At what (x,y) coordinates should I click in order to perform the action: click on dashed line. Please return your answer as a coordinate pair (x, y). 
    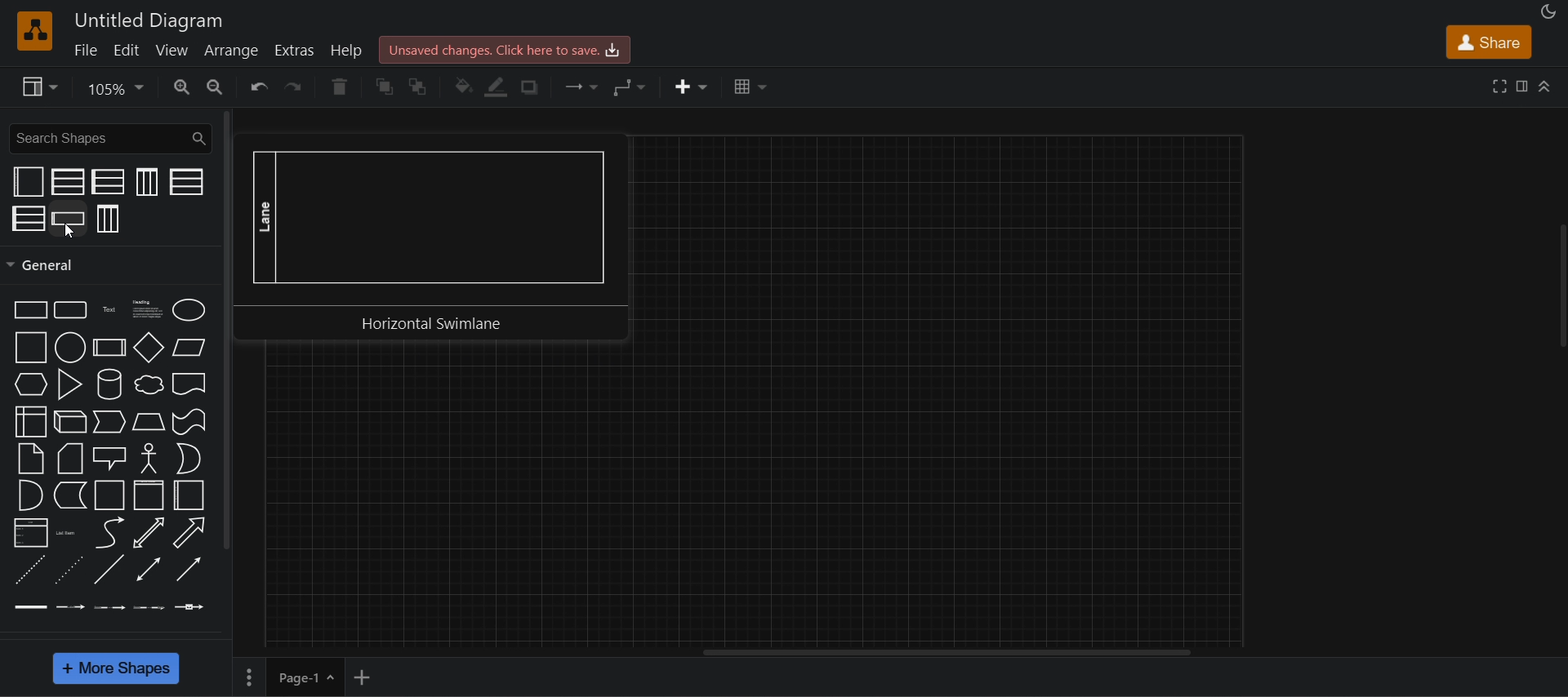
    Looking at the image, I should click on (27, 570).